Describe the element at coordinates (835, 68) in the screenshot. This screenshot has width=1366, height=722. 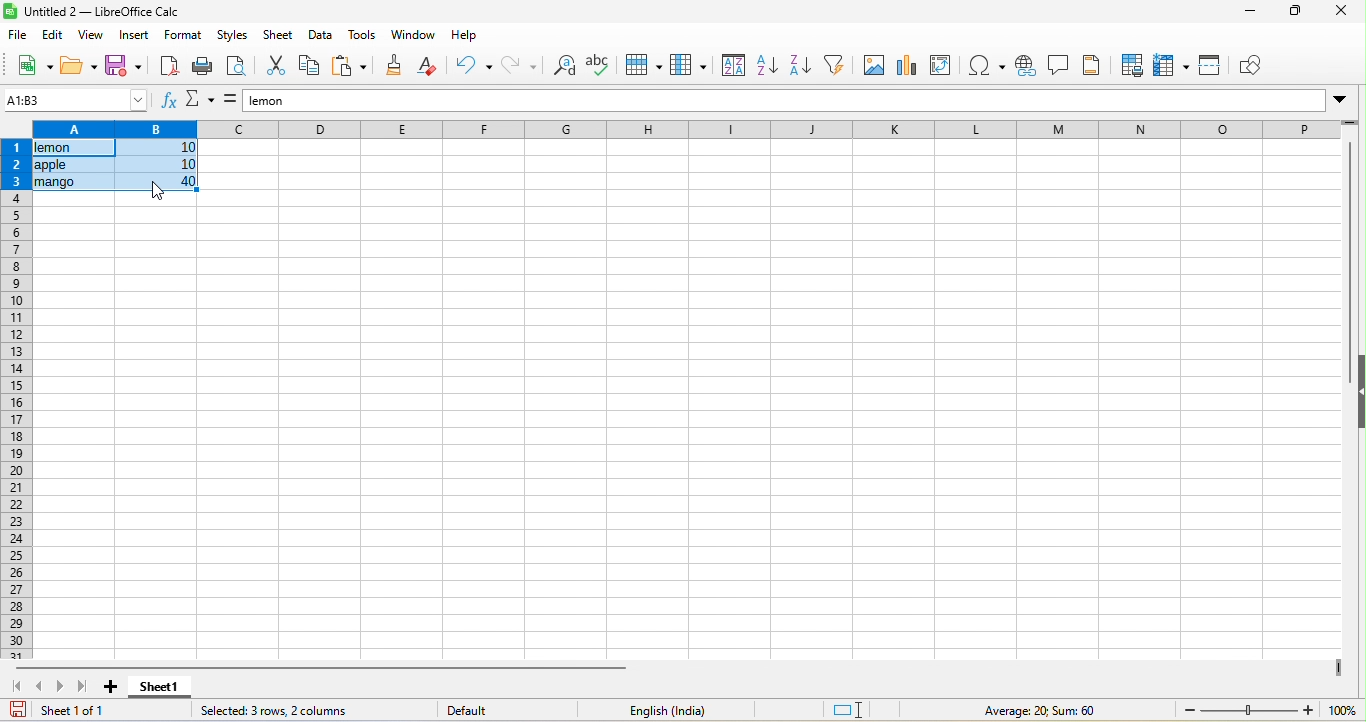
I see `auto filter` at that location.